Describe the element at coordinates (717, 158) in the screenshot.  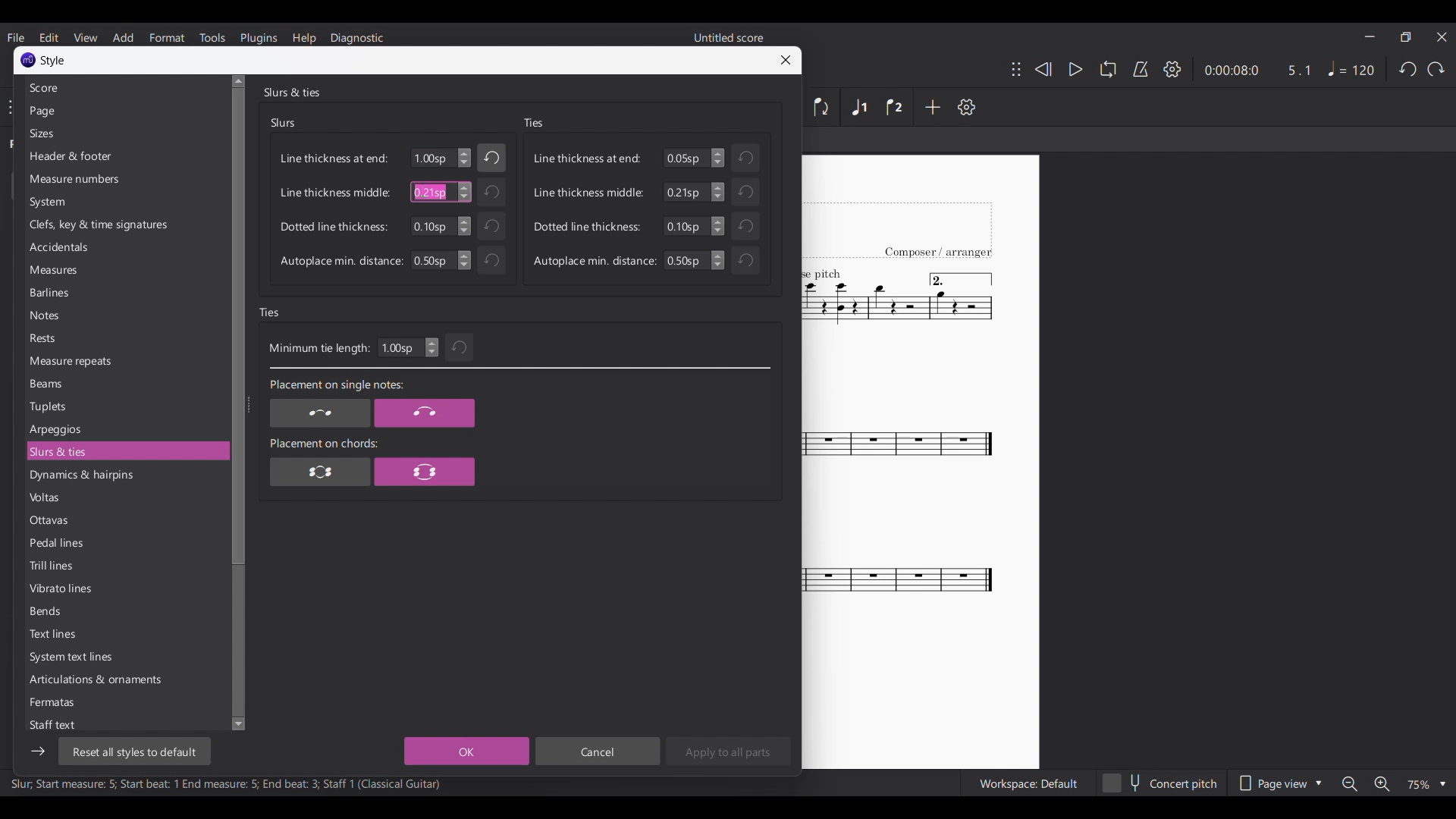
I see `Increase/Decrease Line thickness at end` at that location.